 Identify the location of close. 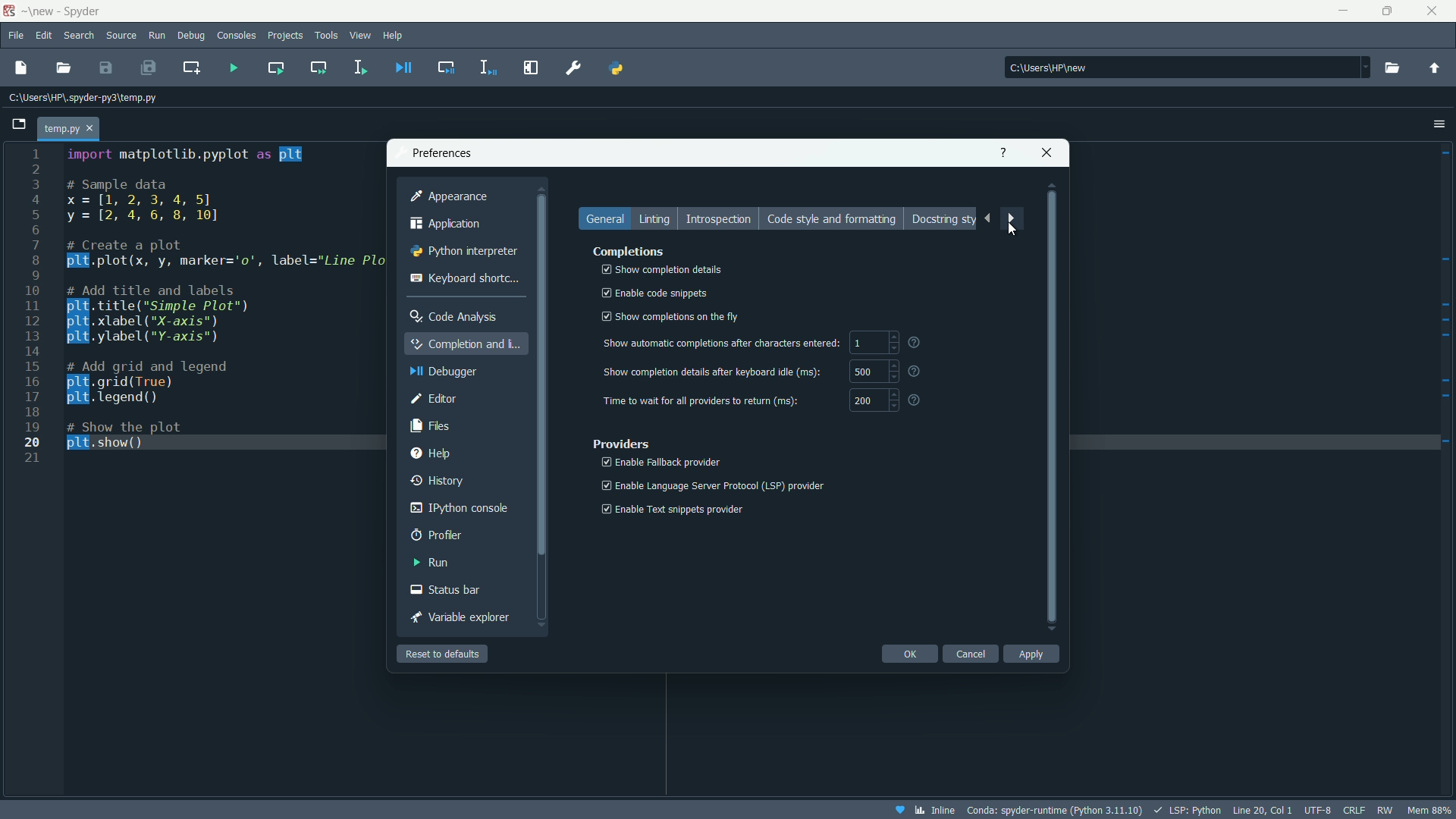
(1048, 151).